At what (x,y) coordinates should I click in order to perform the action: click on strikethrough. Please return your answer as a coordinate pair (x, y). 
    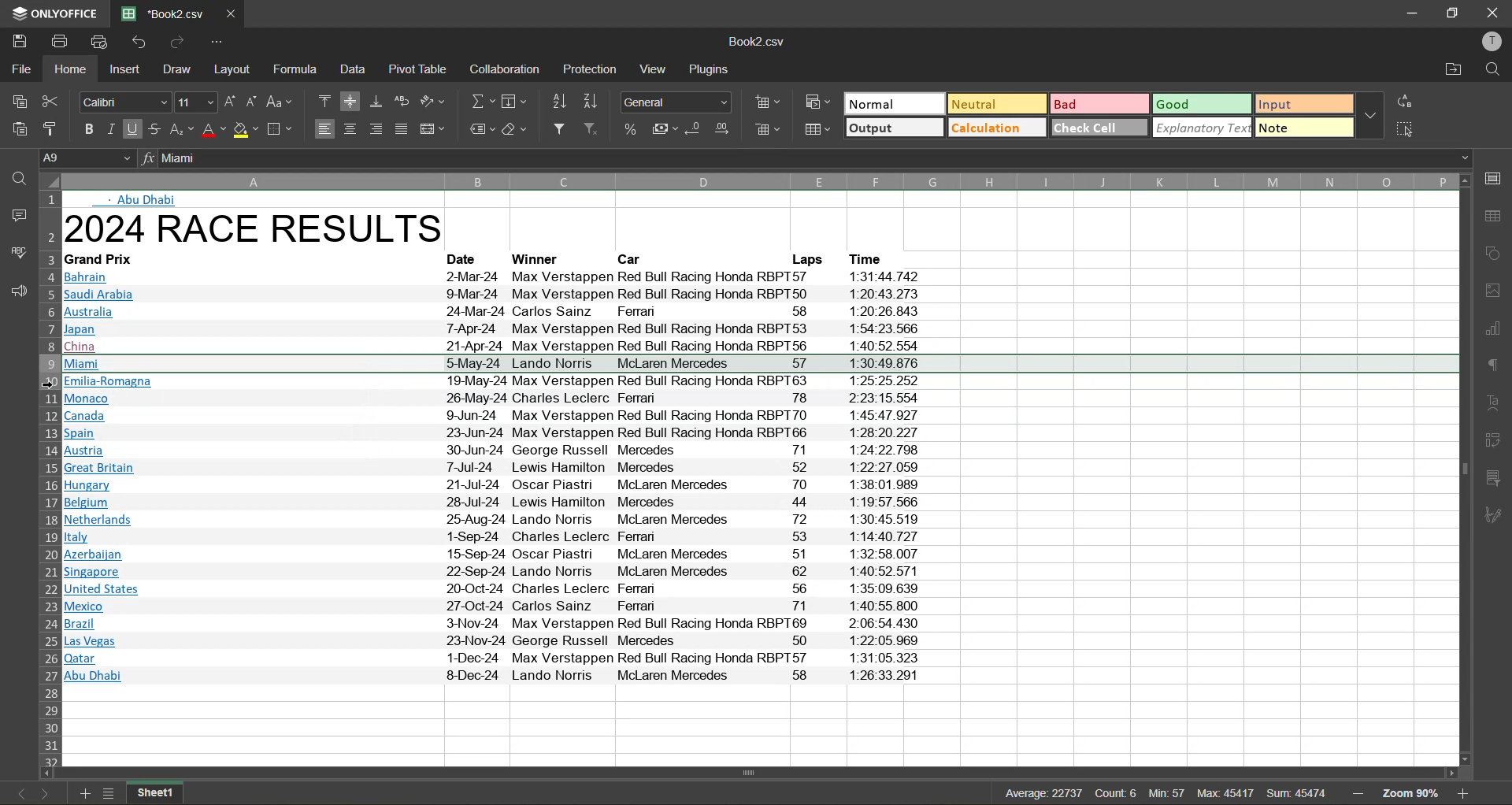
    Looking at the image, I should click on (156, 128).